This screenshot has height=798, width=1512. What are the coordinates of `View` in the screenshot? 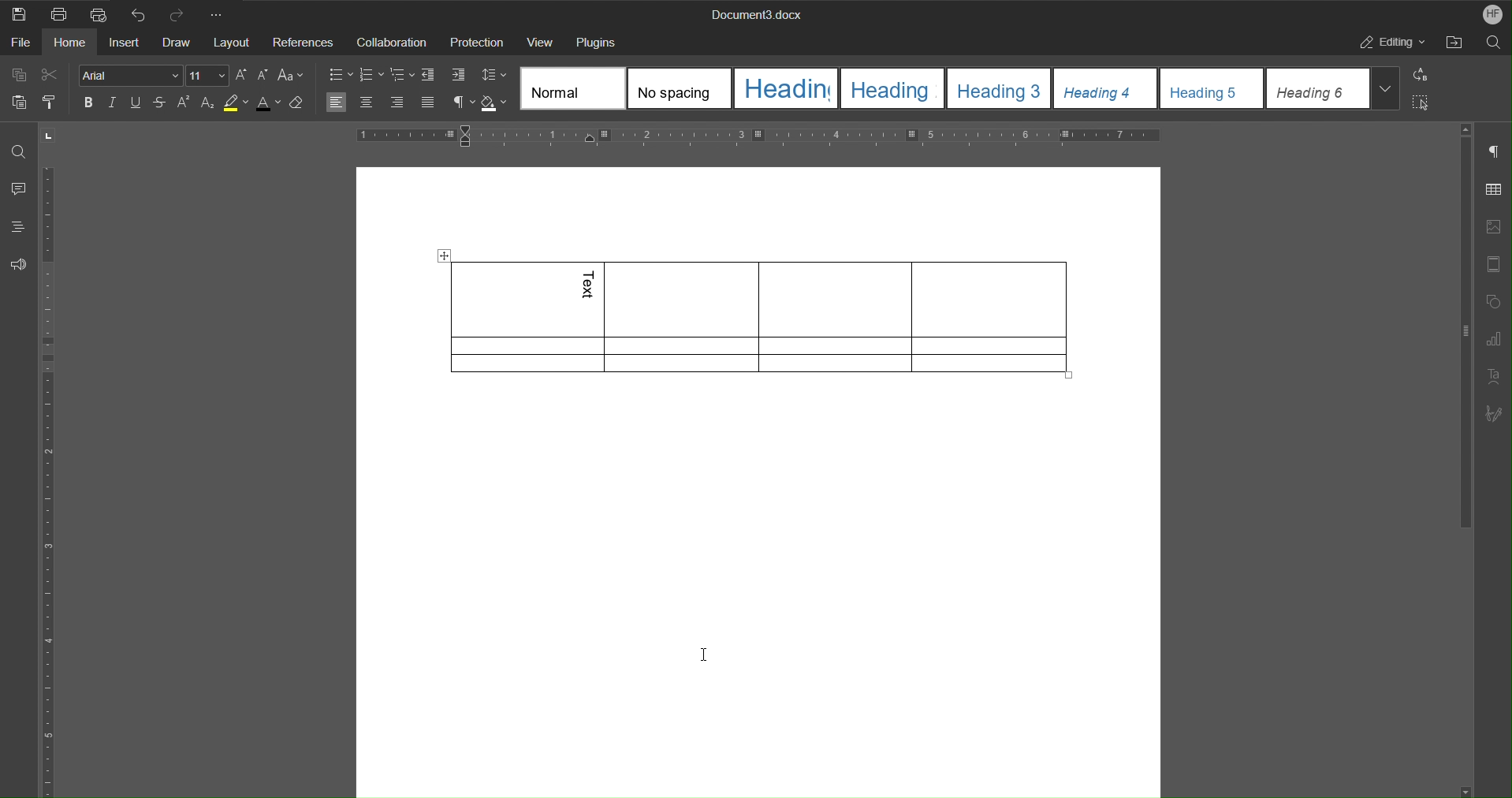 It's located at (540, 41).